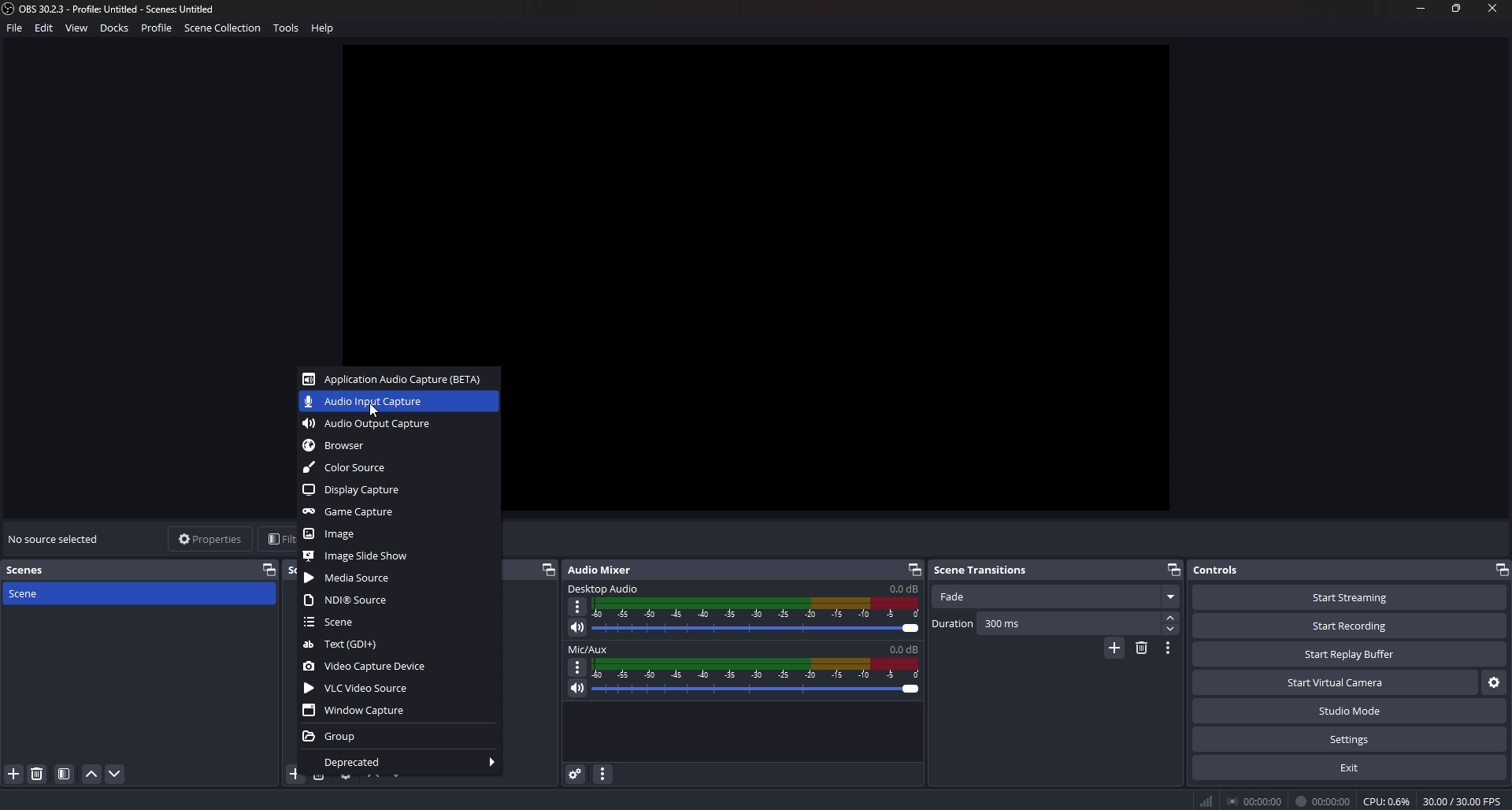 The image size is (1512, 810). What do you see at coordinates (579, 607) in the screenshot?
I see `options` at bounding box center [579, 607].